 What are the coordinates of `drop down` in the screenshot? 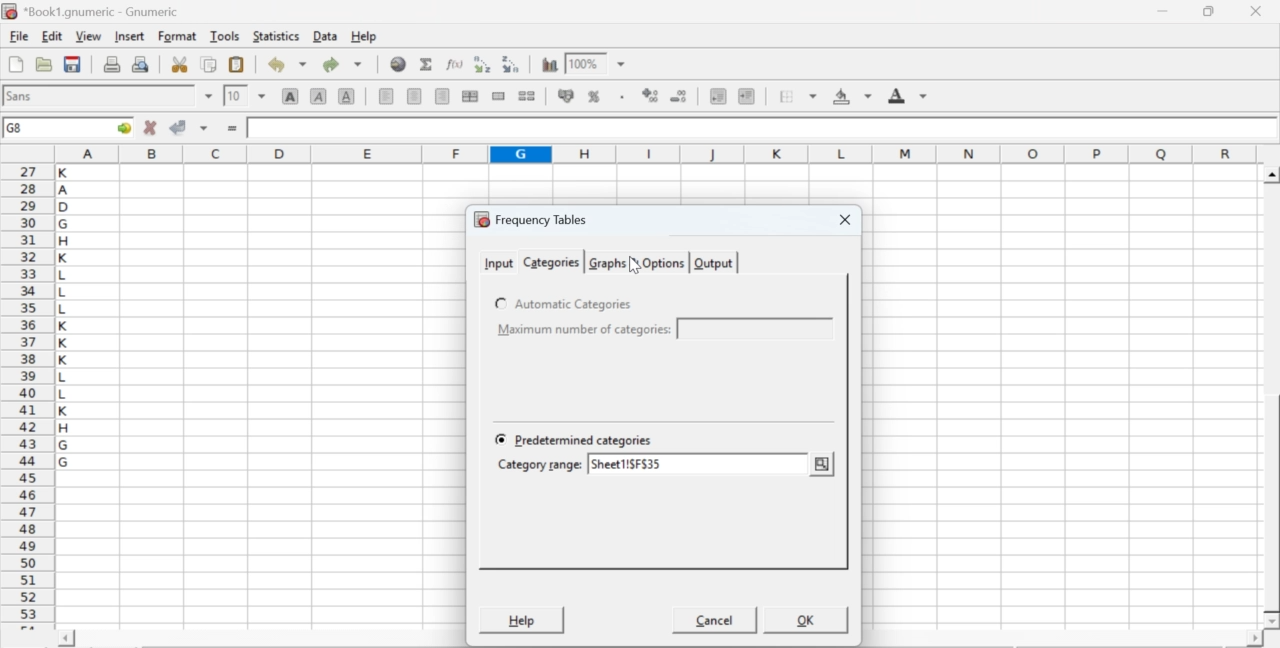 It's located at (262, 95).